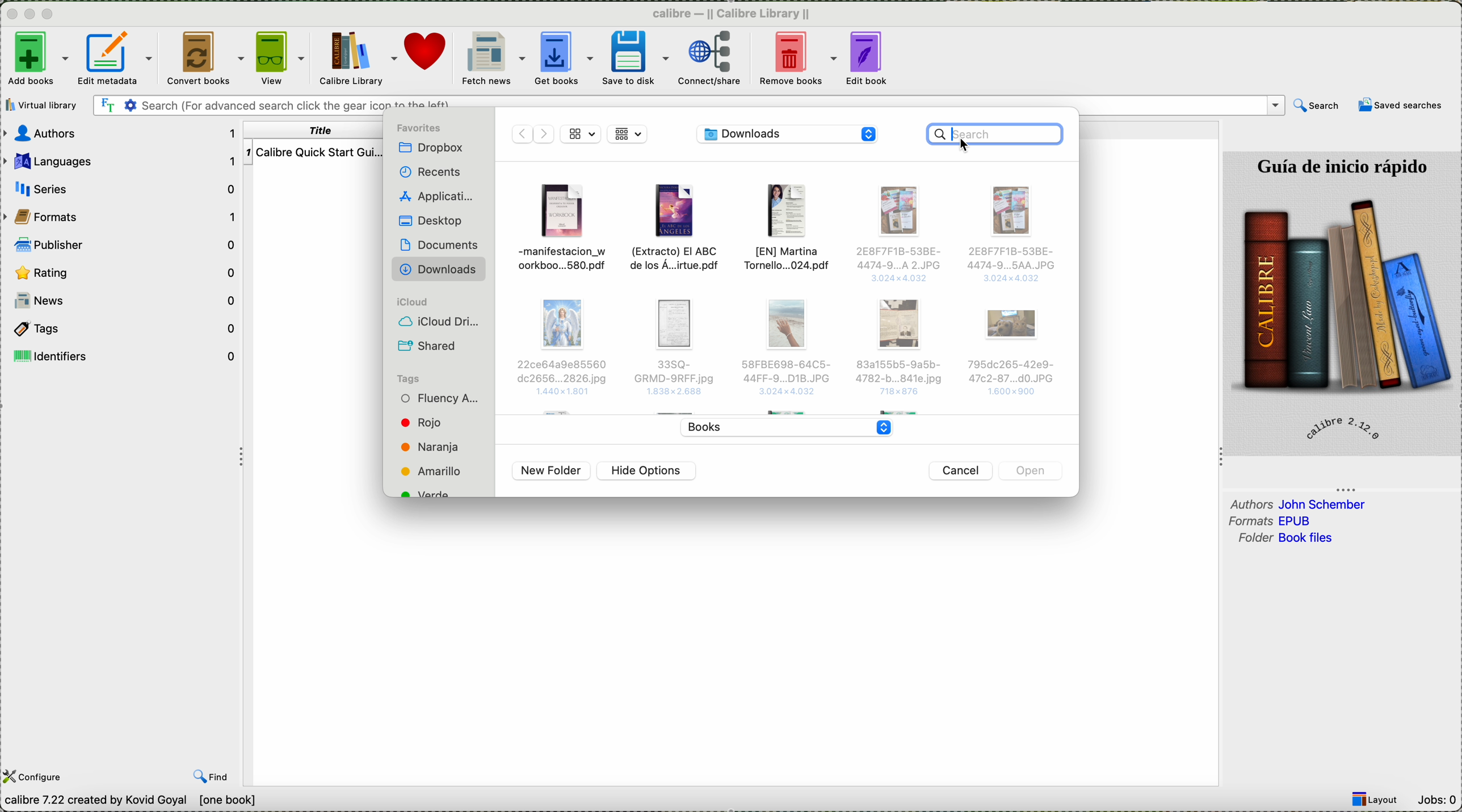  I want to click on click on add books, so click(36, 60).